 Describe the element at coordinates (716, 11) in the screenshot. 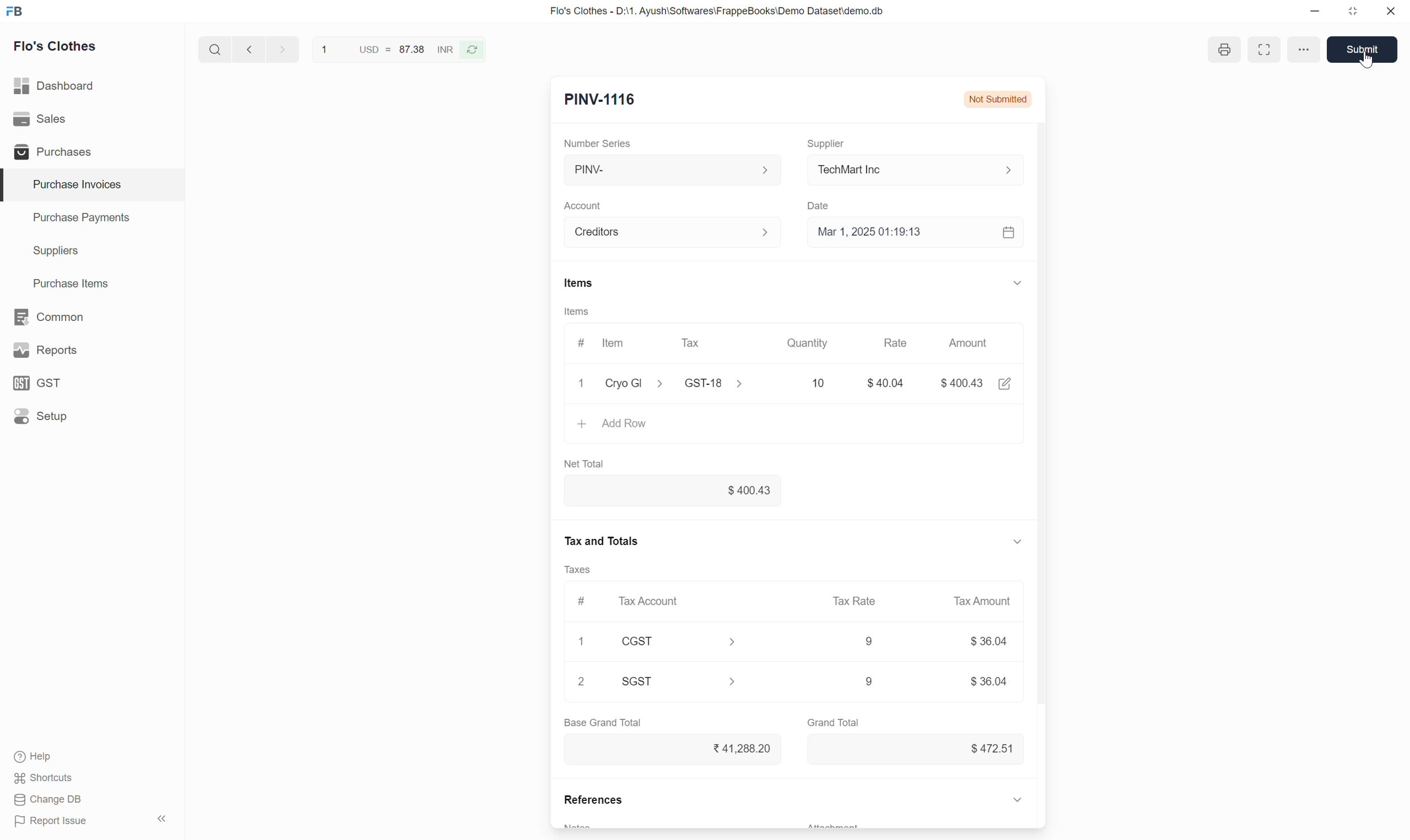

I see `Flo's Clothes - D:\1. Ayush\Softwares\FrappeBooks\Demo Dataset\demo.db` at that location.